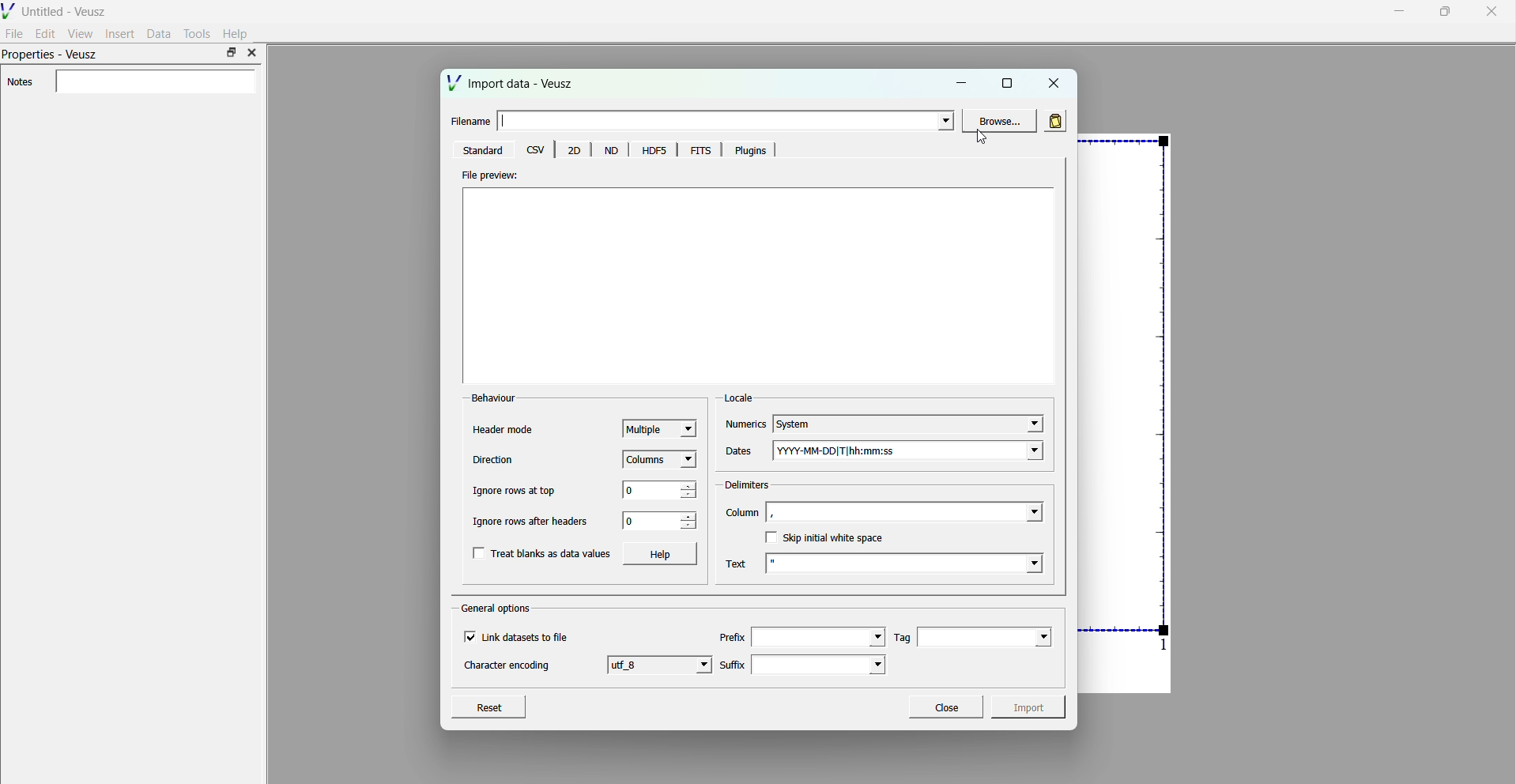  I want to click on Insert, so click(120, 33).